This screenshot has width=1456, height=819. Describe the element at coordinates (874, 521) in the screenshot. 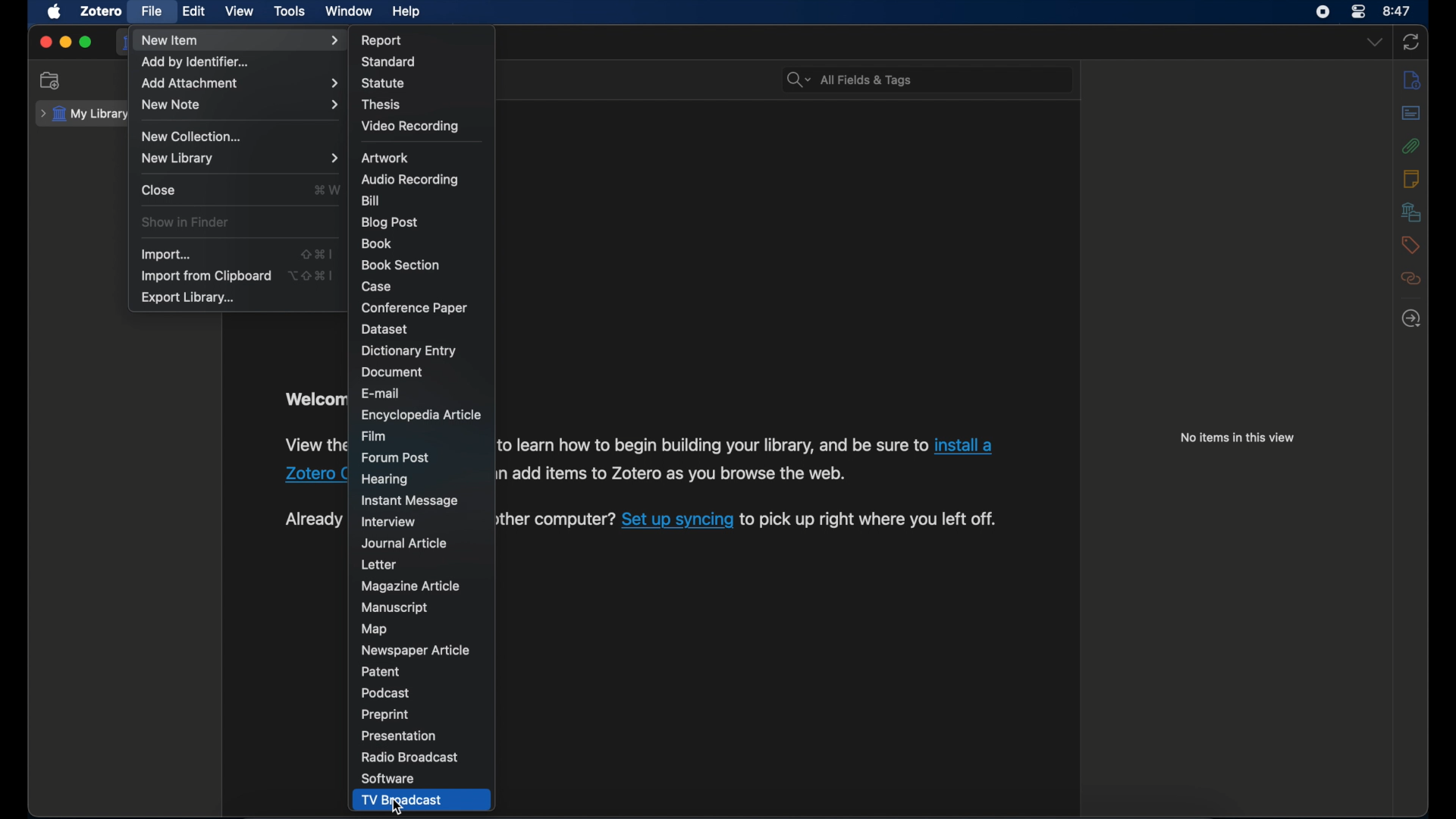

I see `software information` at that location.